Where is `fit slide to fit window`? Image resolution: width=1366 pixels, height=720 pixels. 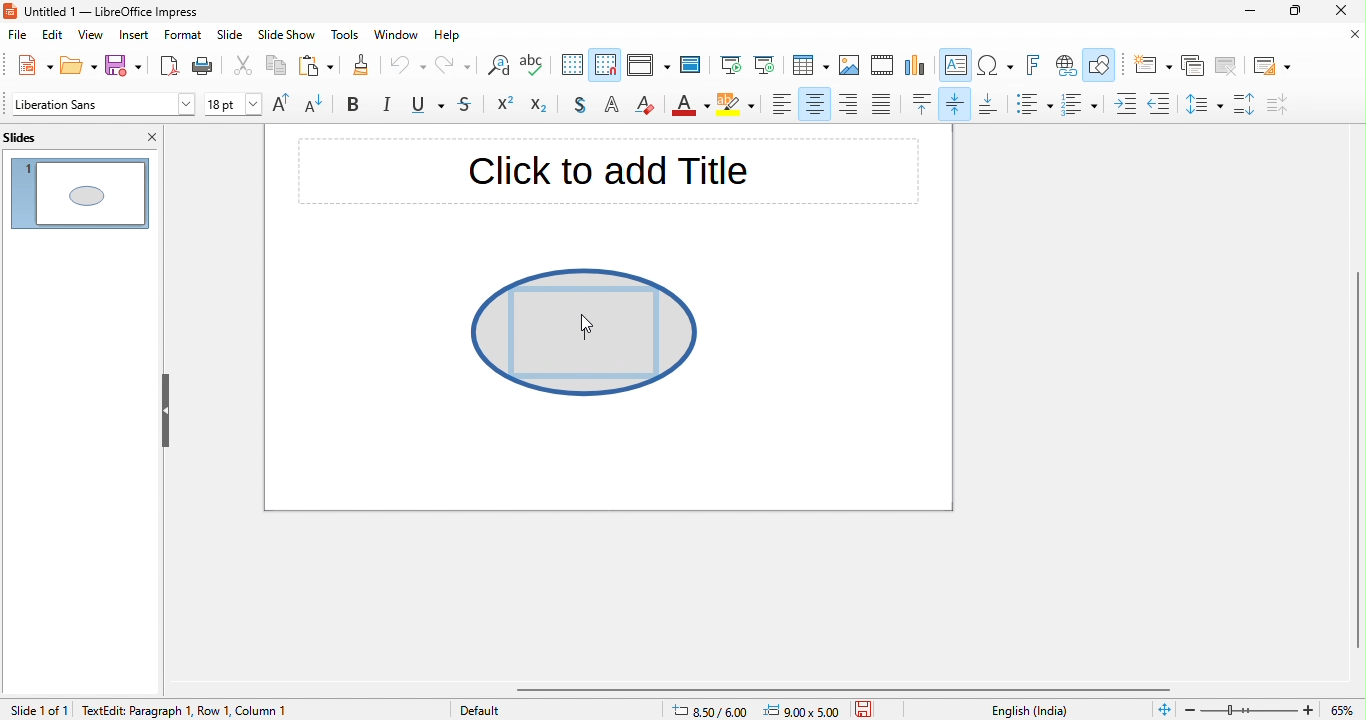
fit slide to fit window is located at coordinates (1164, 710).